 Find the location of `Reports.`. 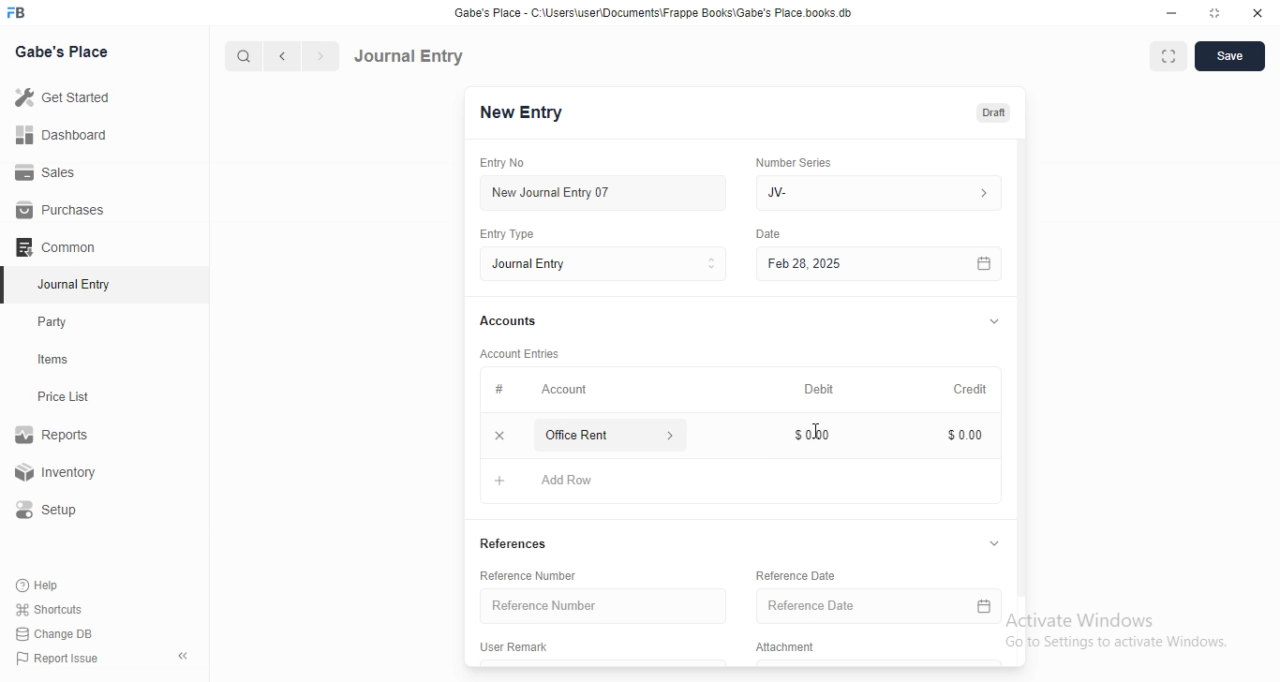

Reports. is located at coordinates (55, 438).